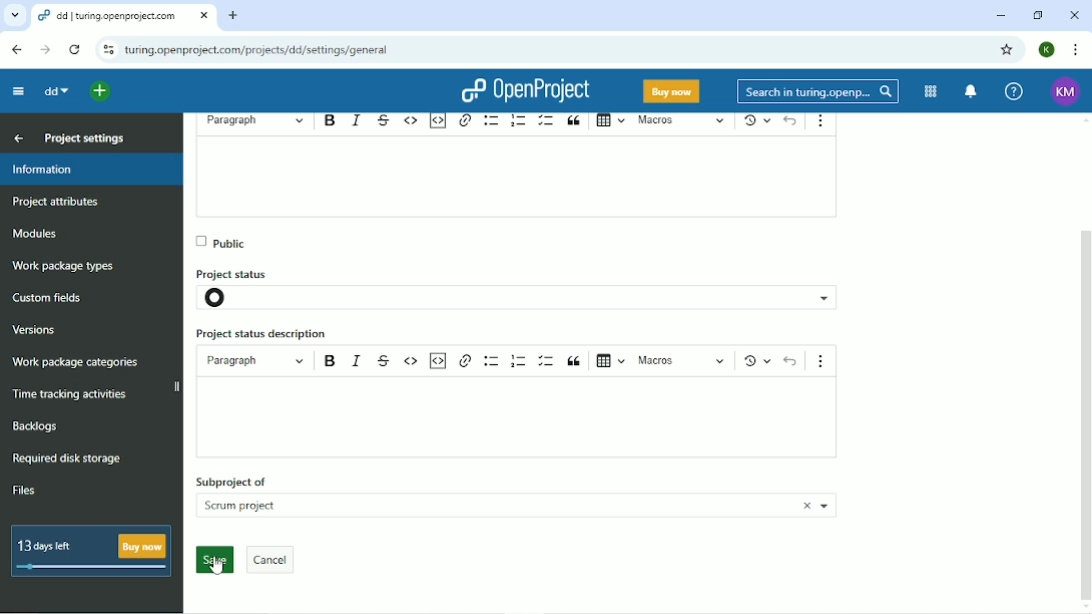 The image size is (1092, 614). What do you see at coordinates (255, 360) in the screenshot?
I see `paragraph` at bounding box center [255, 360].